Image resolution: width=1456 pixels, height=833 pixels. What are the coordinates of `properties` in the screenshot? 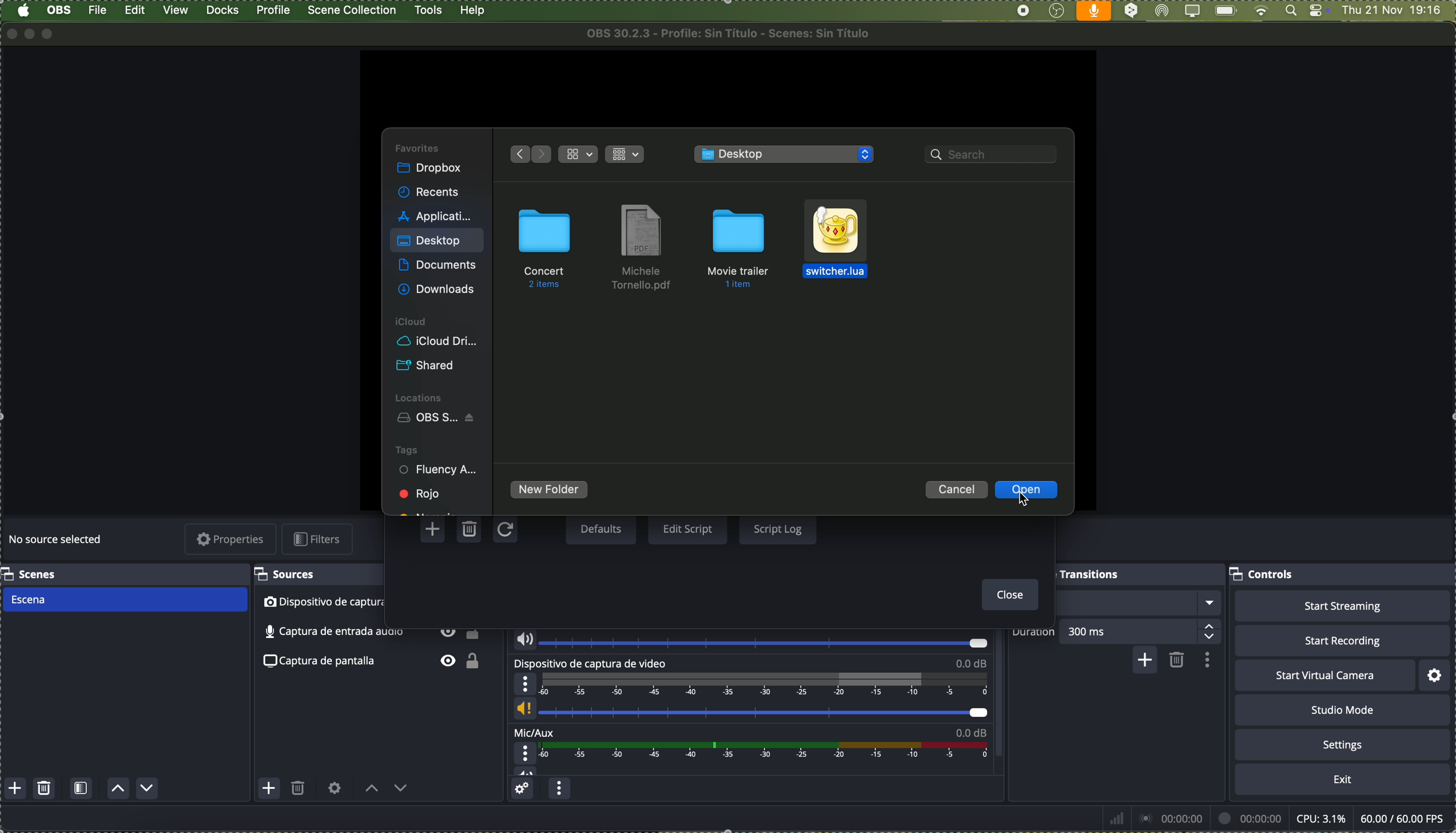 It's located at (232, 540).